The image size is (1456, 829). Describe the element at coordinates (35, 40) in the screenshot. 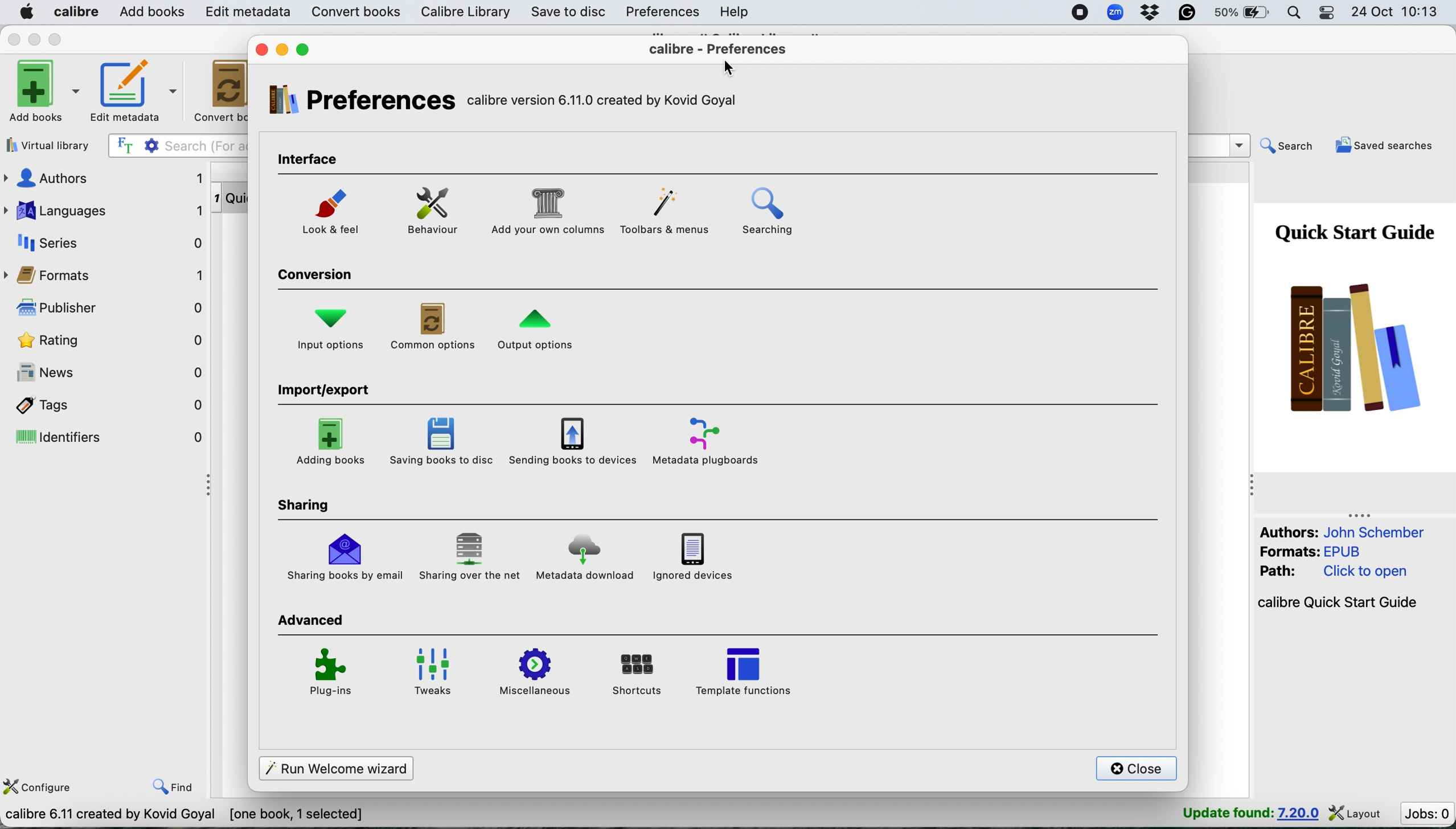

I see `minimise` at that location.